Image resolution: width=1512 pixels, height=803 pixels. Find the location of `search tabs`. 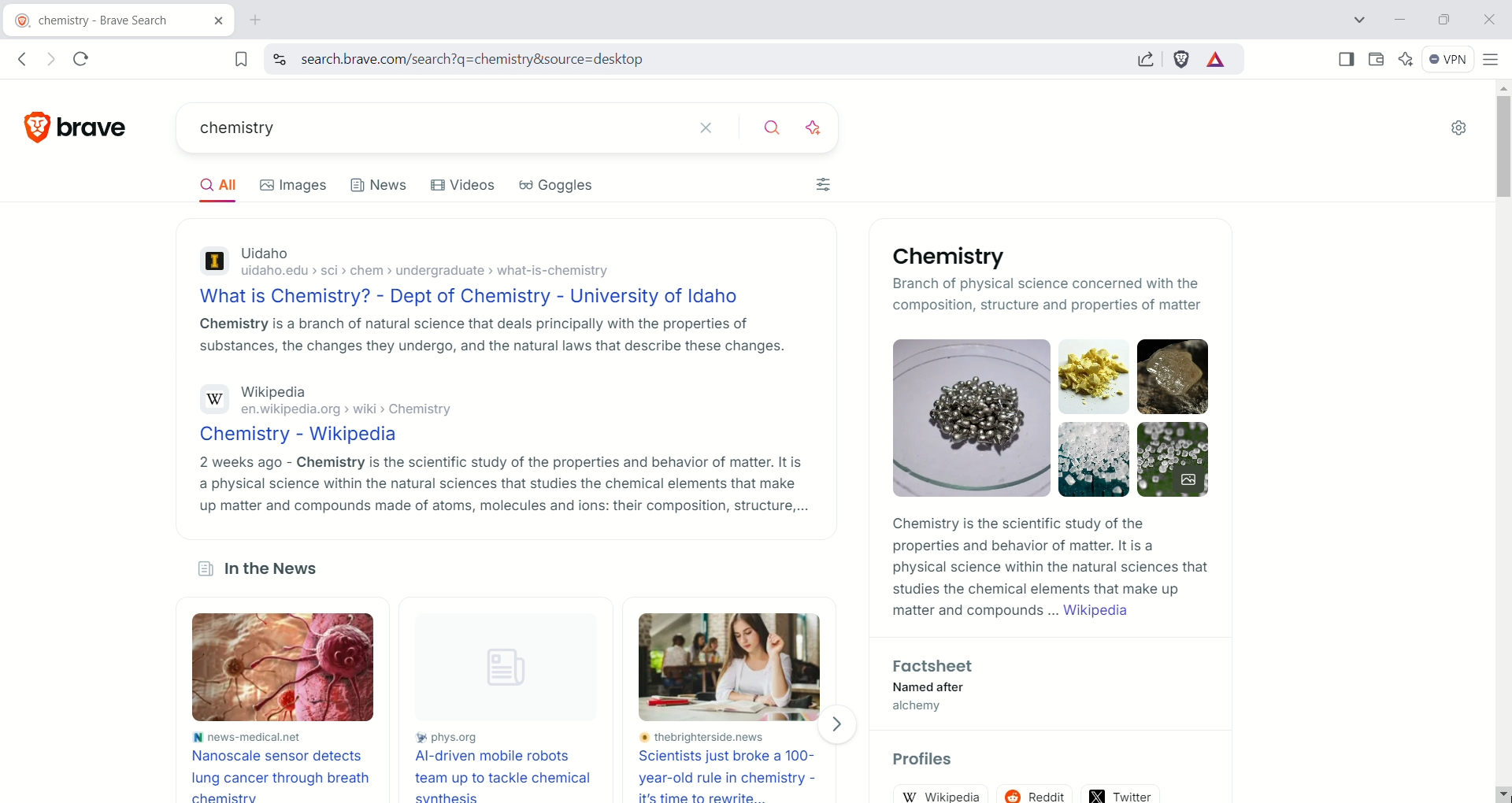

search tabs is located at coordinates (1362, 20).